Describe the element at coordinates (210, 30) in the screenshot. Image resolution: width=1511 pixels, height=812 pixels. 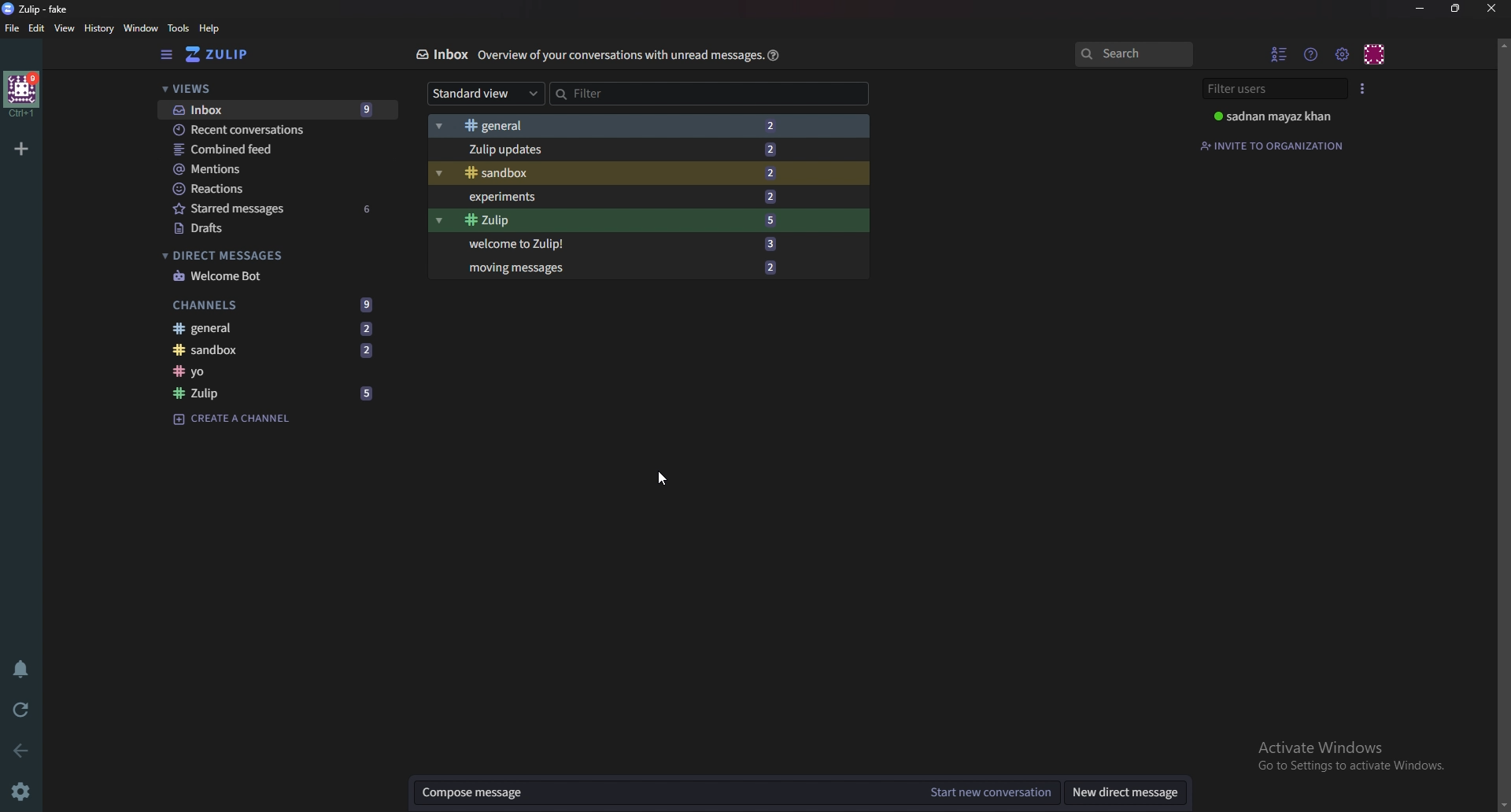
I see `help` at that location.